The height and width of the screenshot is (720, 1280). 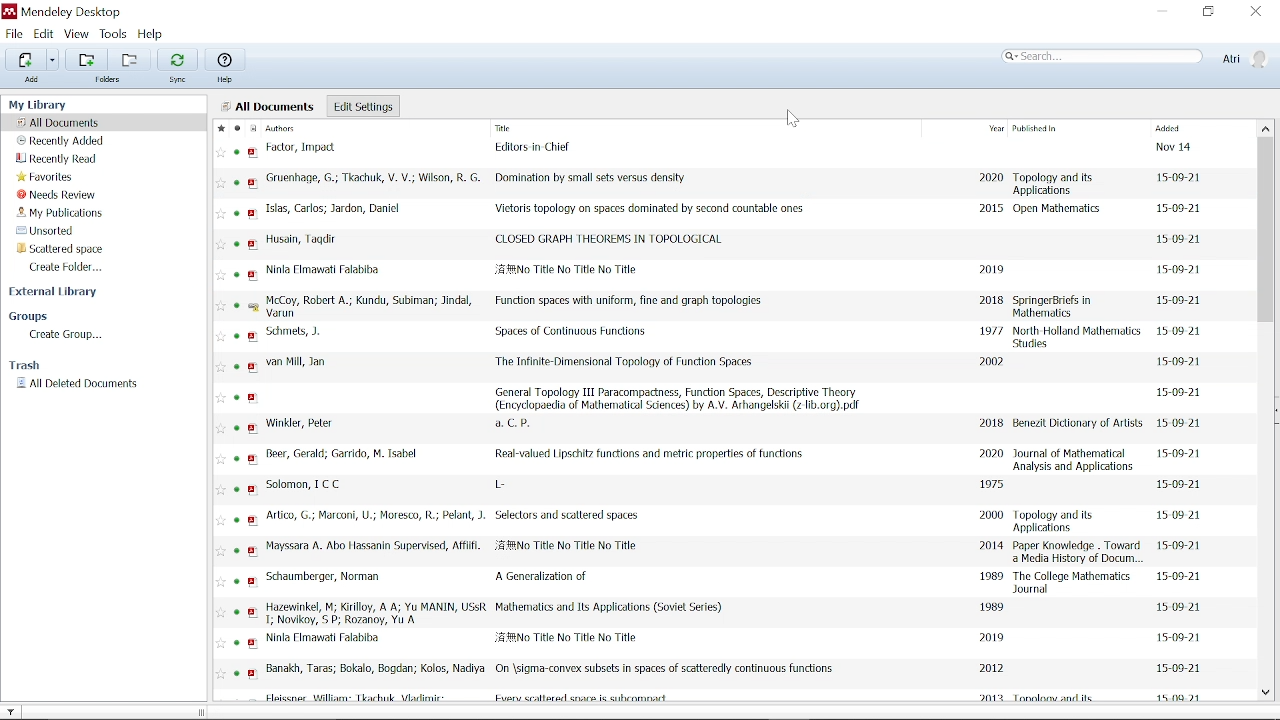 I want to click on Edit settings, so click(x=363, y=106).